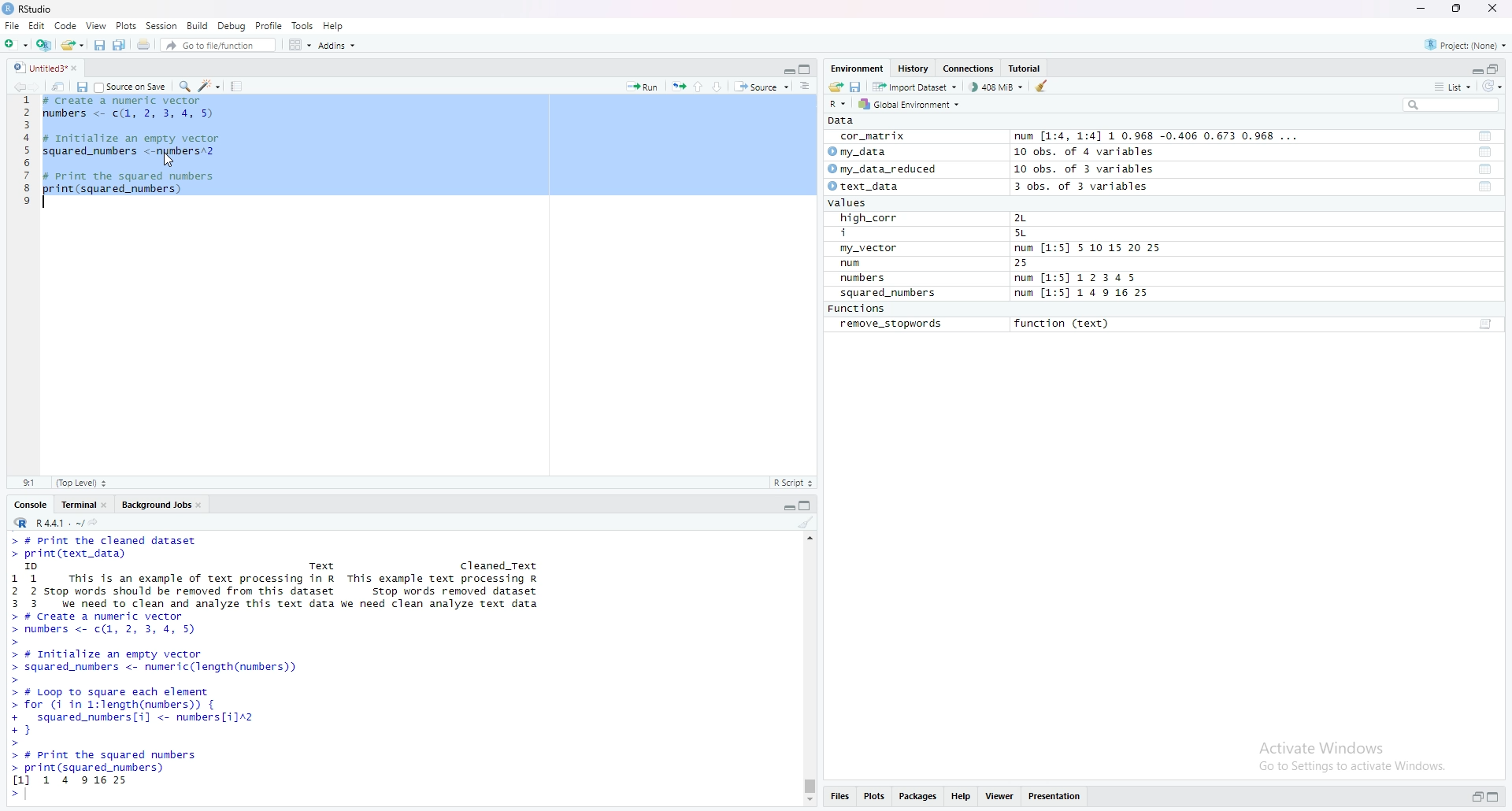  I want to click on maximize, so click(808, 504).